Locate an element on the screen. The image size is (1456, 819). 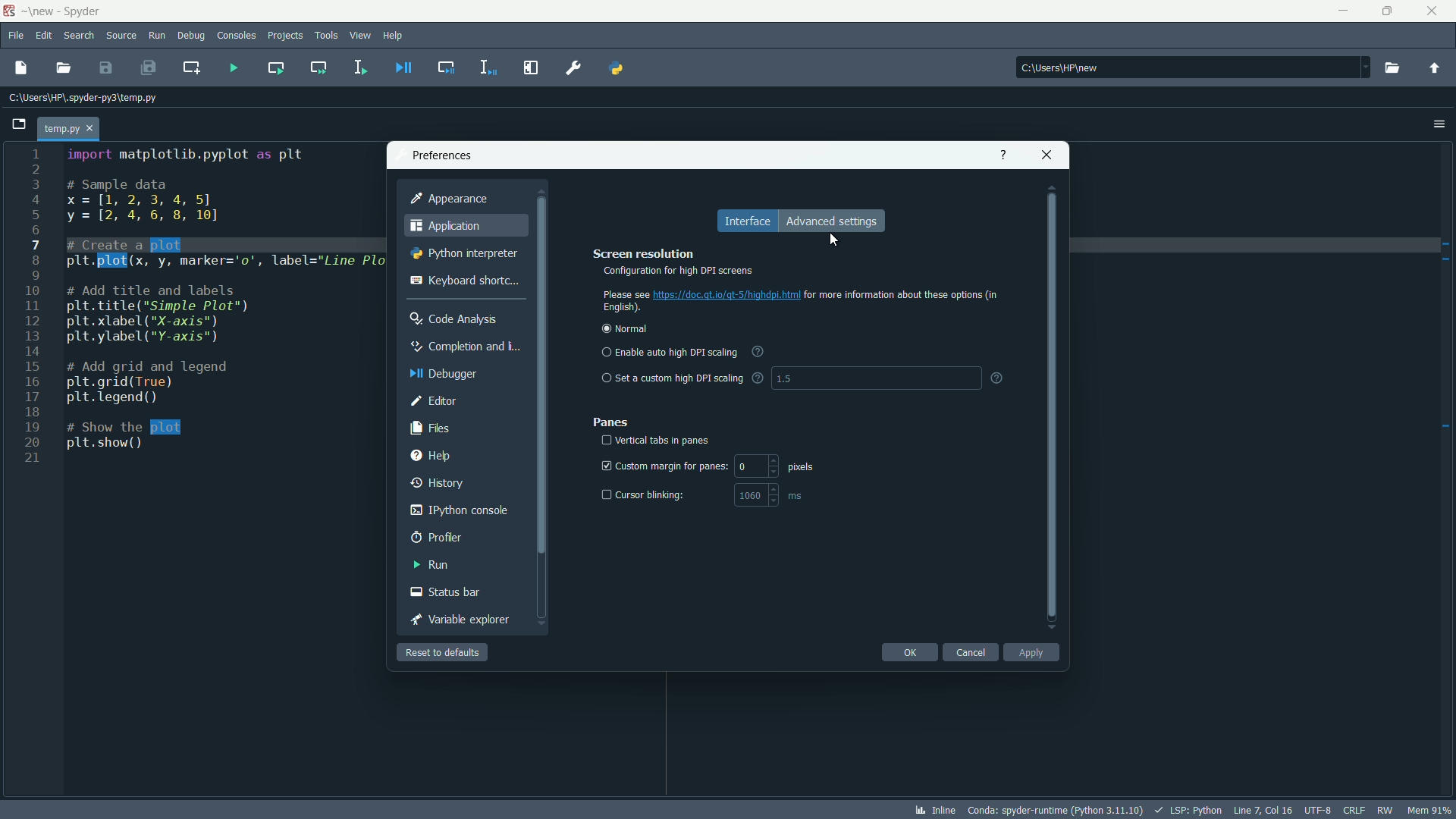
maximize is located at coordinates (1390, 11).